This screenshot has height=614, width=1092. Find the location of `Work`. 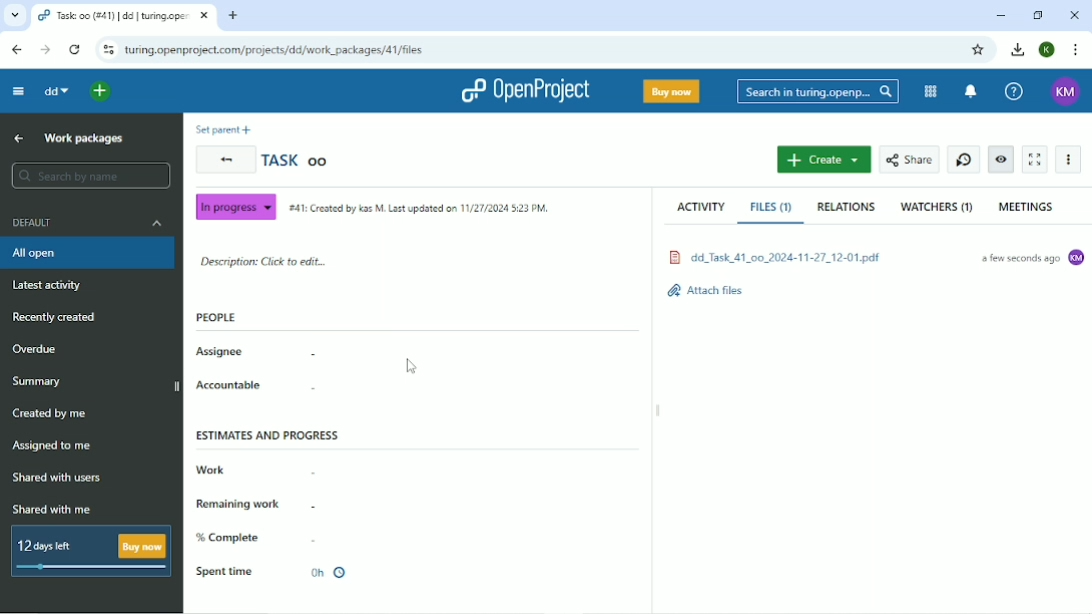

Work is located at coordinates (213, 469).